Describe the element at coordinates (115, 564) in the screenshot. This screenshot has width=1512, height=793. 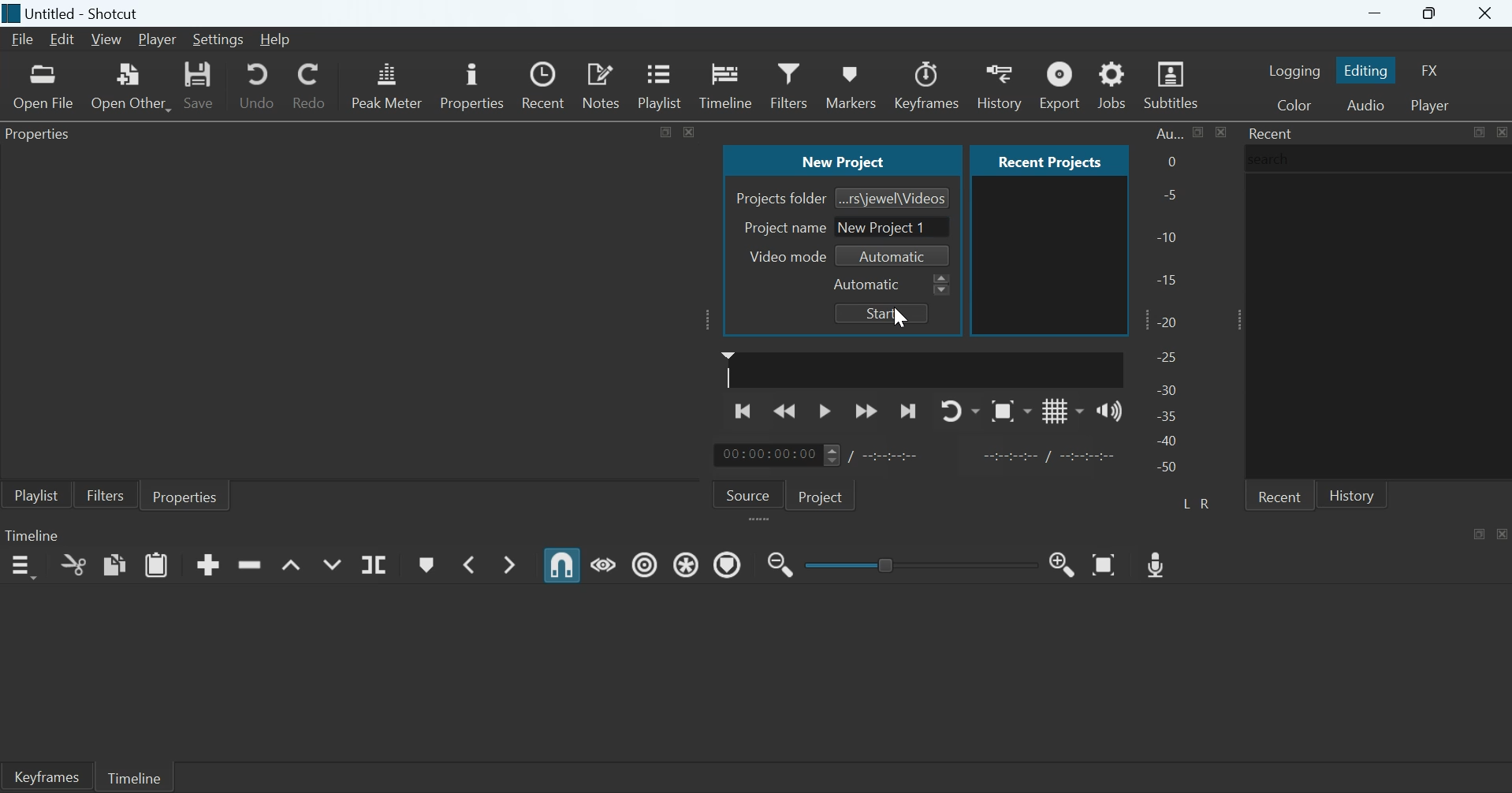
I see `copy` at that location.